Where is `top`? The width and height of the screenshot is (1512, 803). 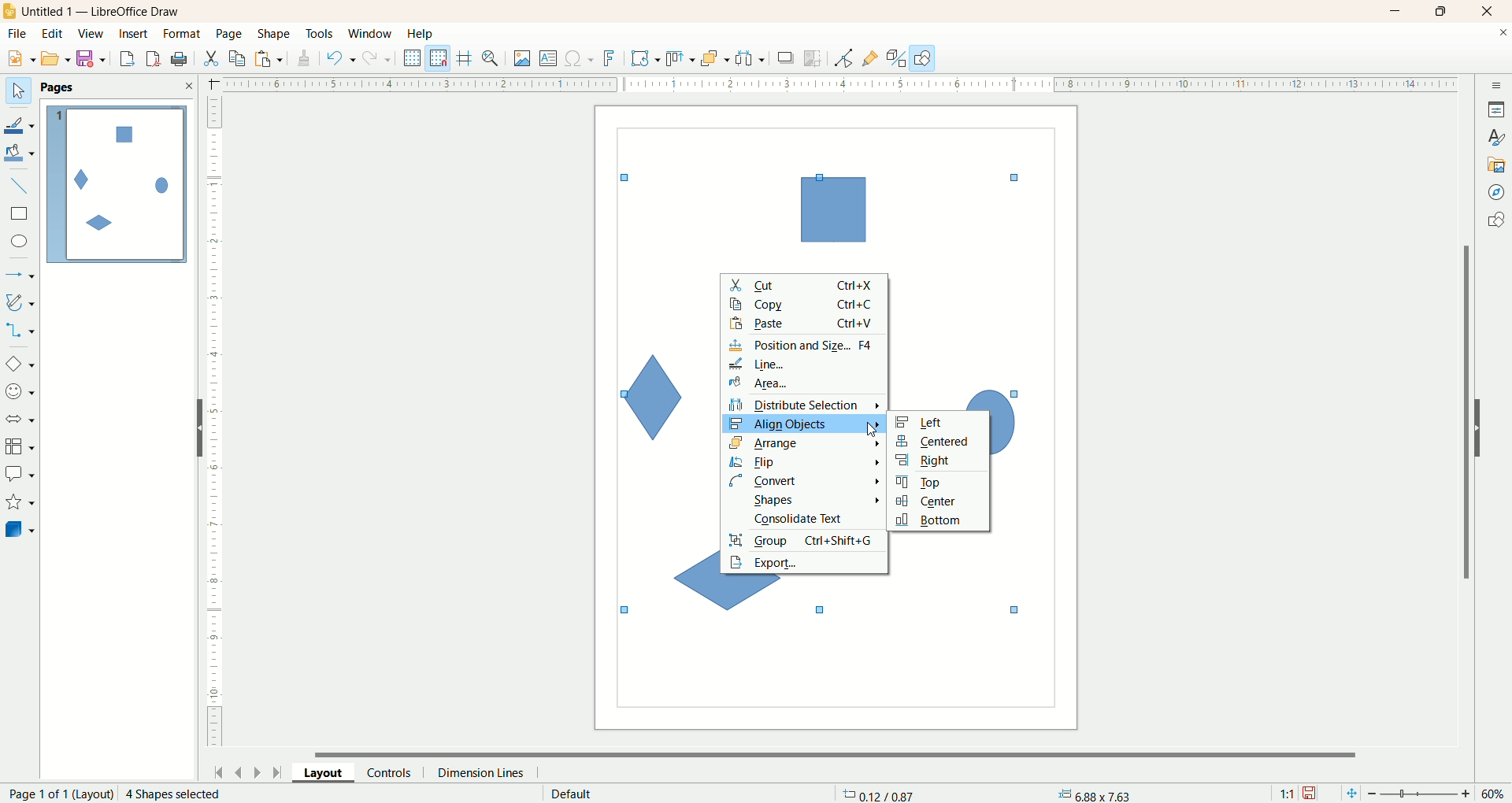 top is located at coordinates (937, 483).